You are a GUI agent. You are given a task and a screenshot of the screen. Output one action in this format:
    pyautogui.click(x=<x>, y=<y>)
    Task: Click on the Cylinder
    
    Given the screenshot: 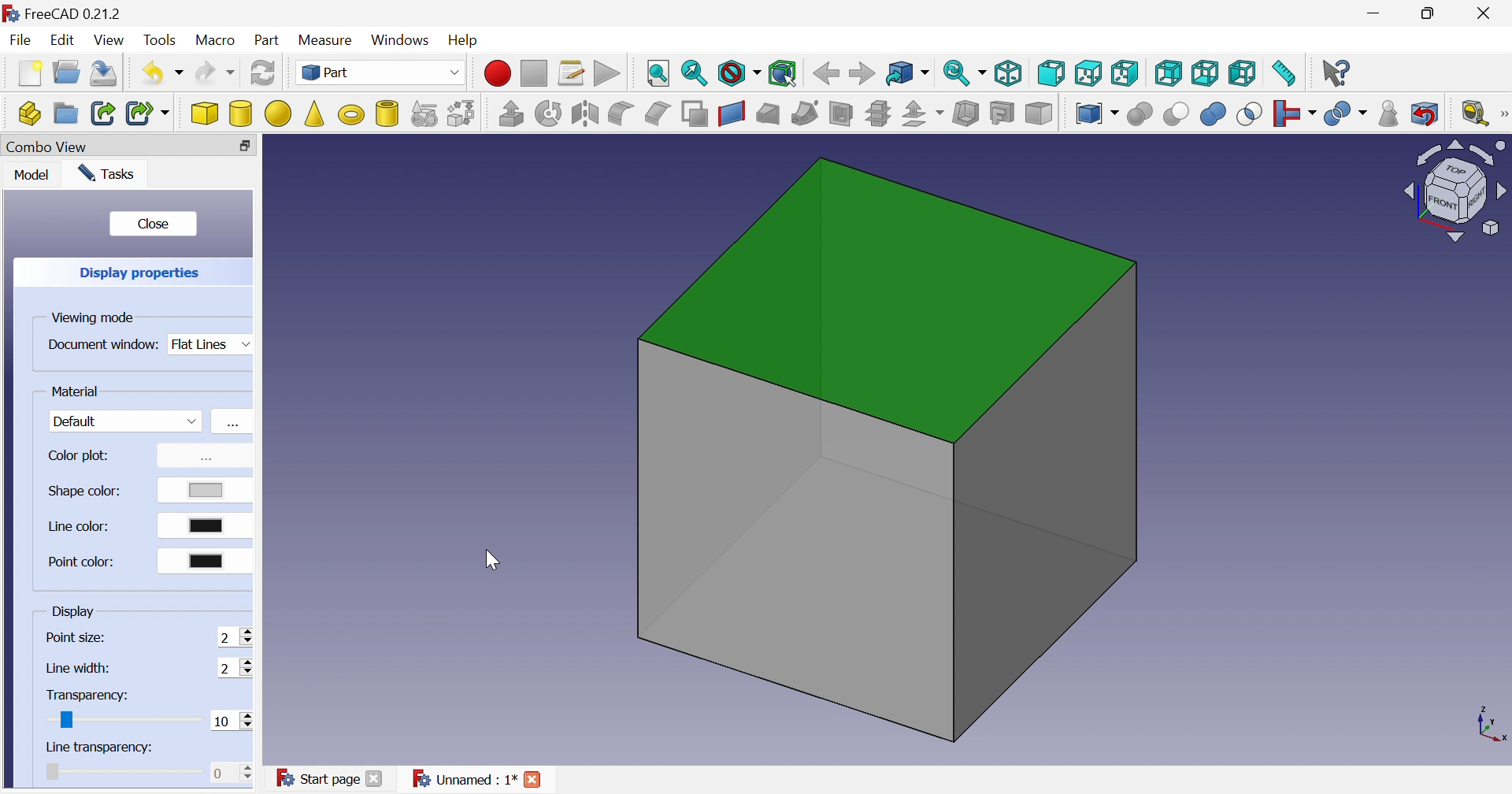 What is the action you would take?
    pyautogui.click(x=241, y=115)
    